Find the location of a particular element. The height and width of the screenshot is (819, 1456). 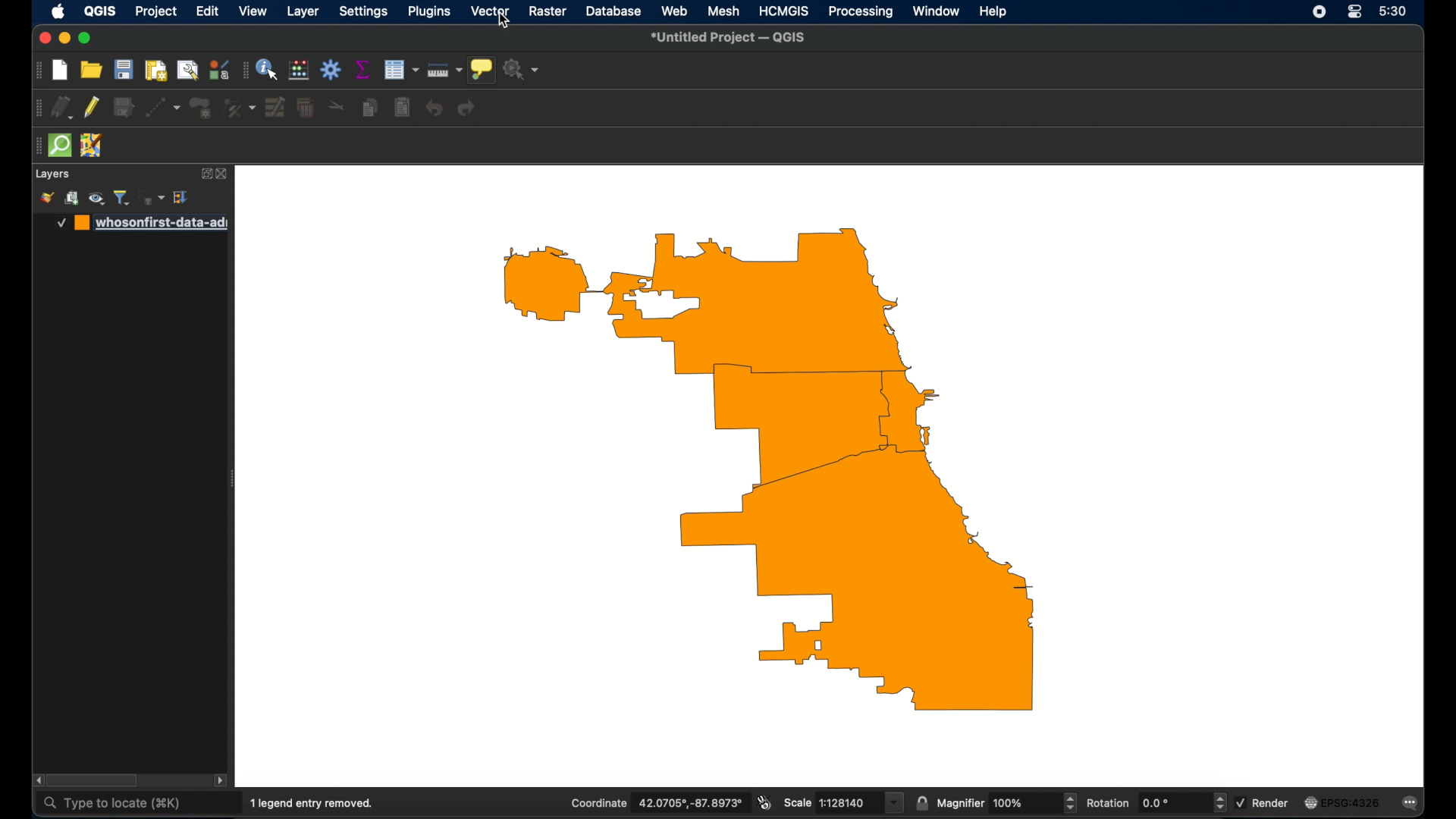

coordinate is located at coordinates (657, 802).